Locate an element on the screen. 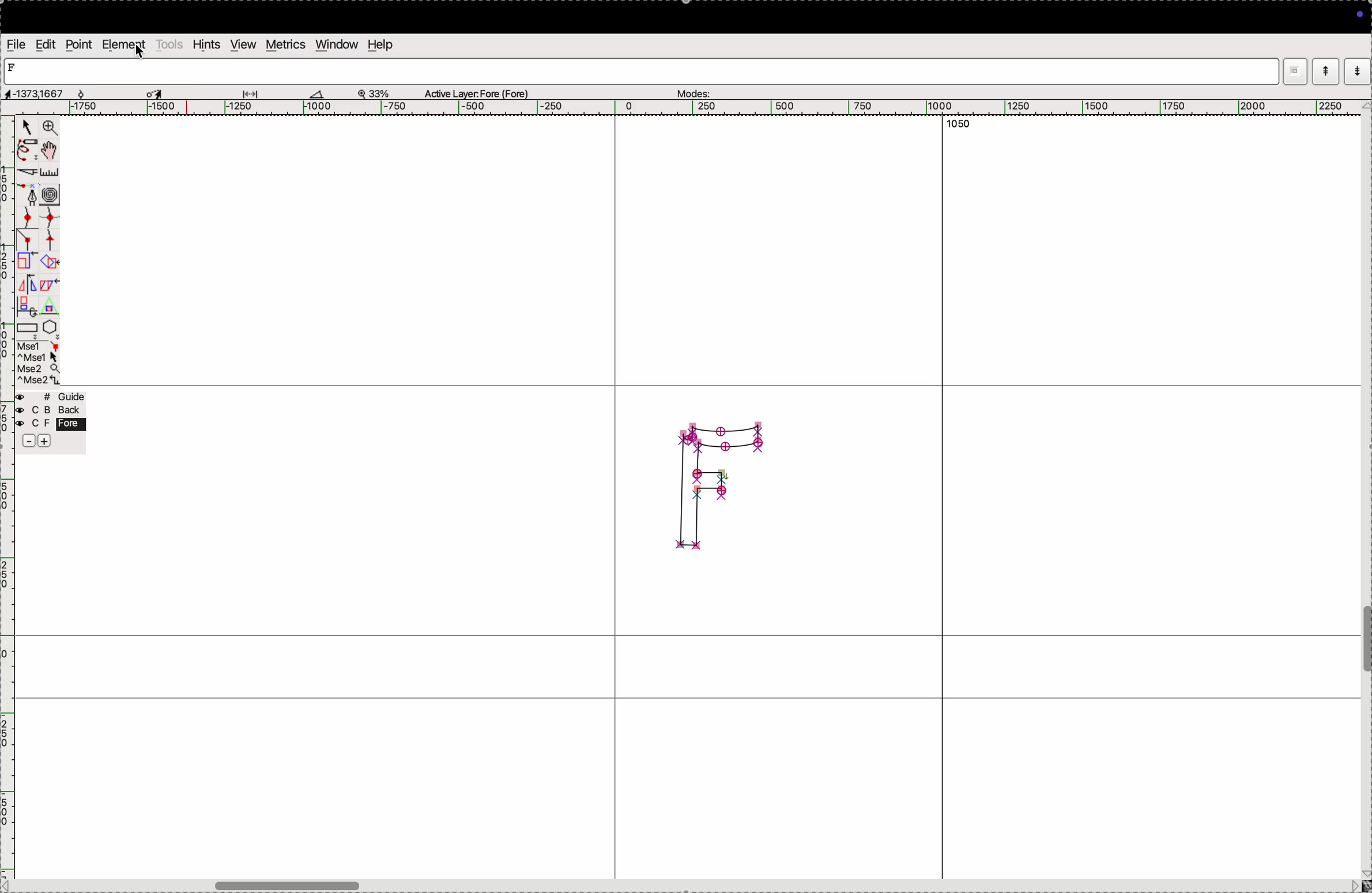 This screenshot has height=893, width=1372. mode down is located at coordinates (1358, 70).